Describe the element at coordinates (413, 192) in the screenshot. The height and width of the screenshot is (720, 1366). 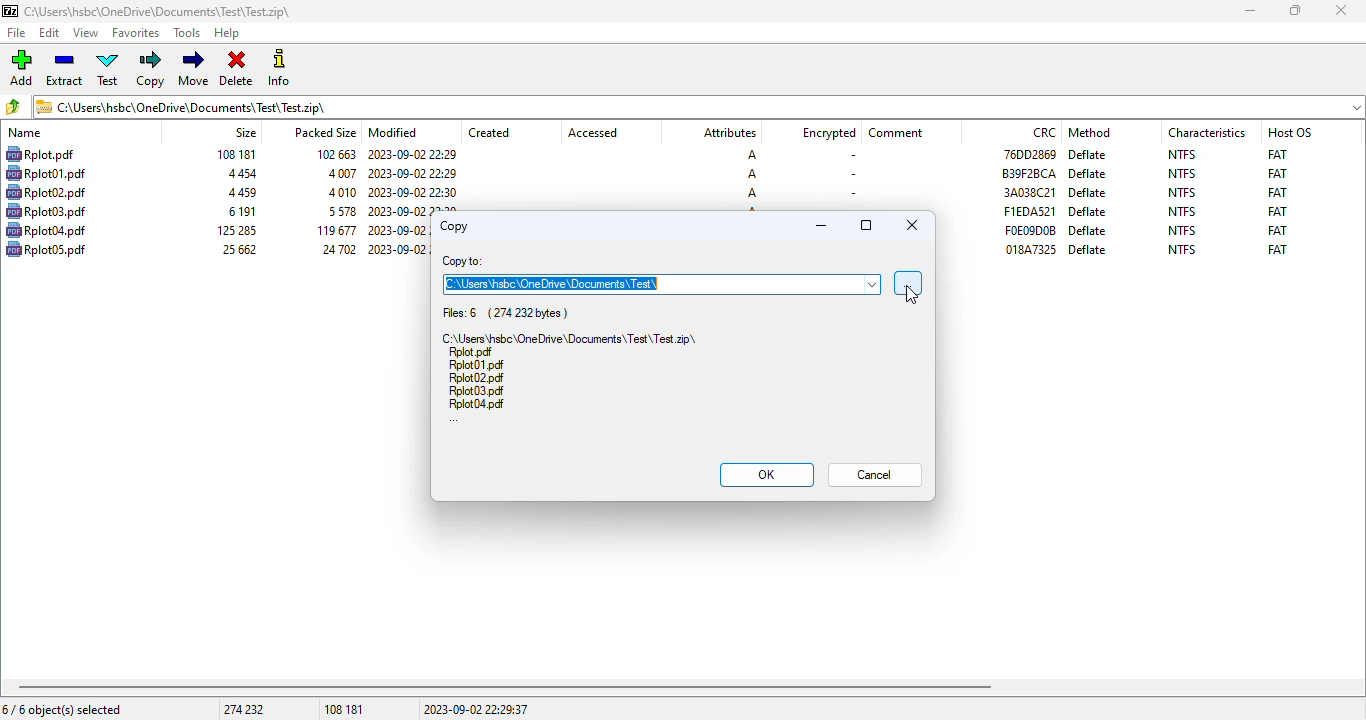
I see `modified date & time` at that location.